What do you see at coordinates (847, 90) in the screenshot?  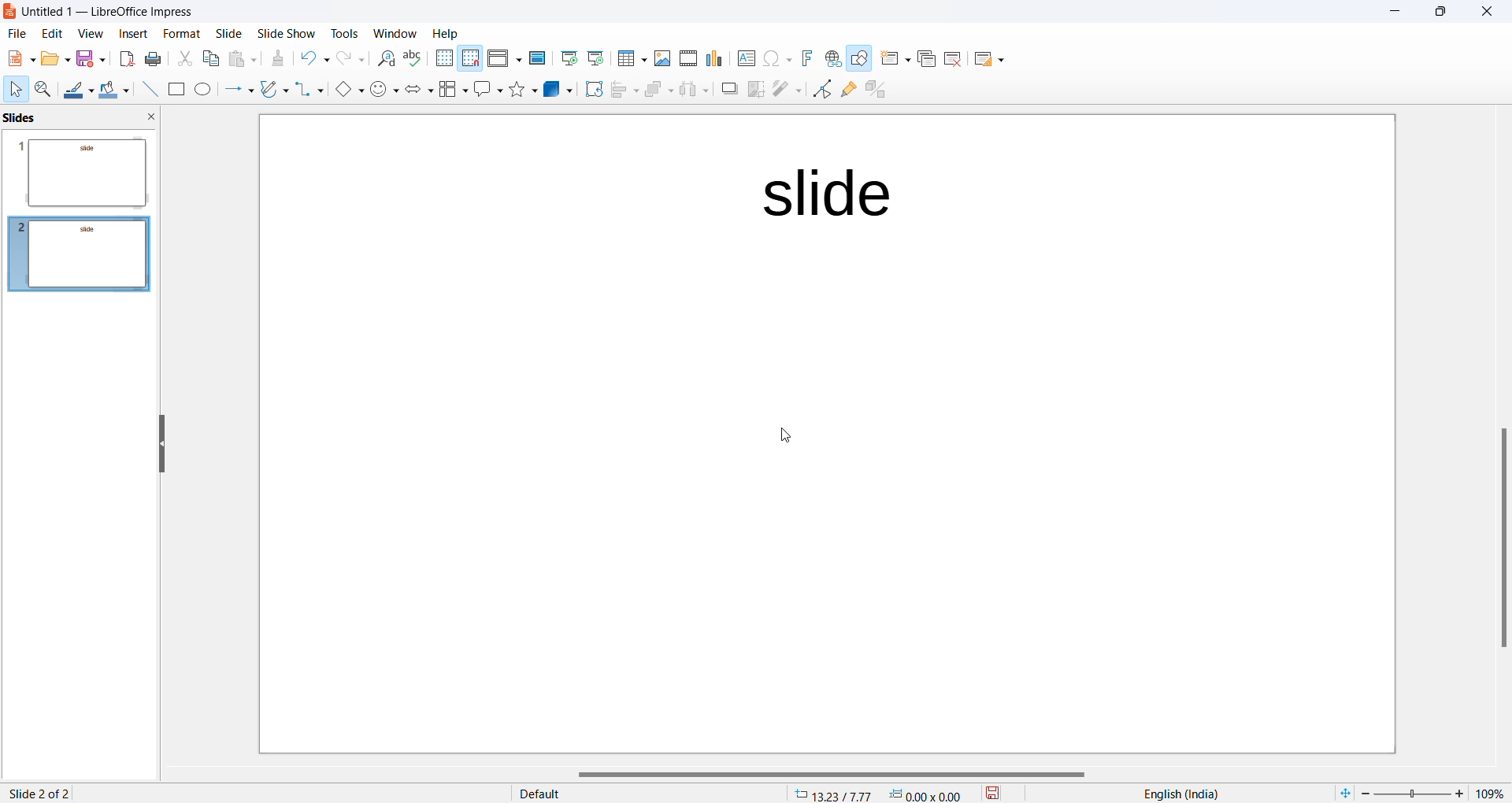 I see `Show glue point function` at bounding box center [847, 90].